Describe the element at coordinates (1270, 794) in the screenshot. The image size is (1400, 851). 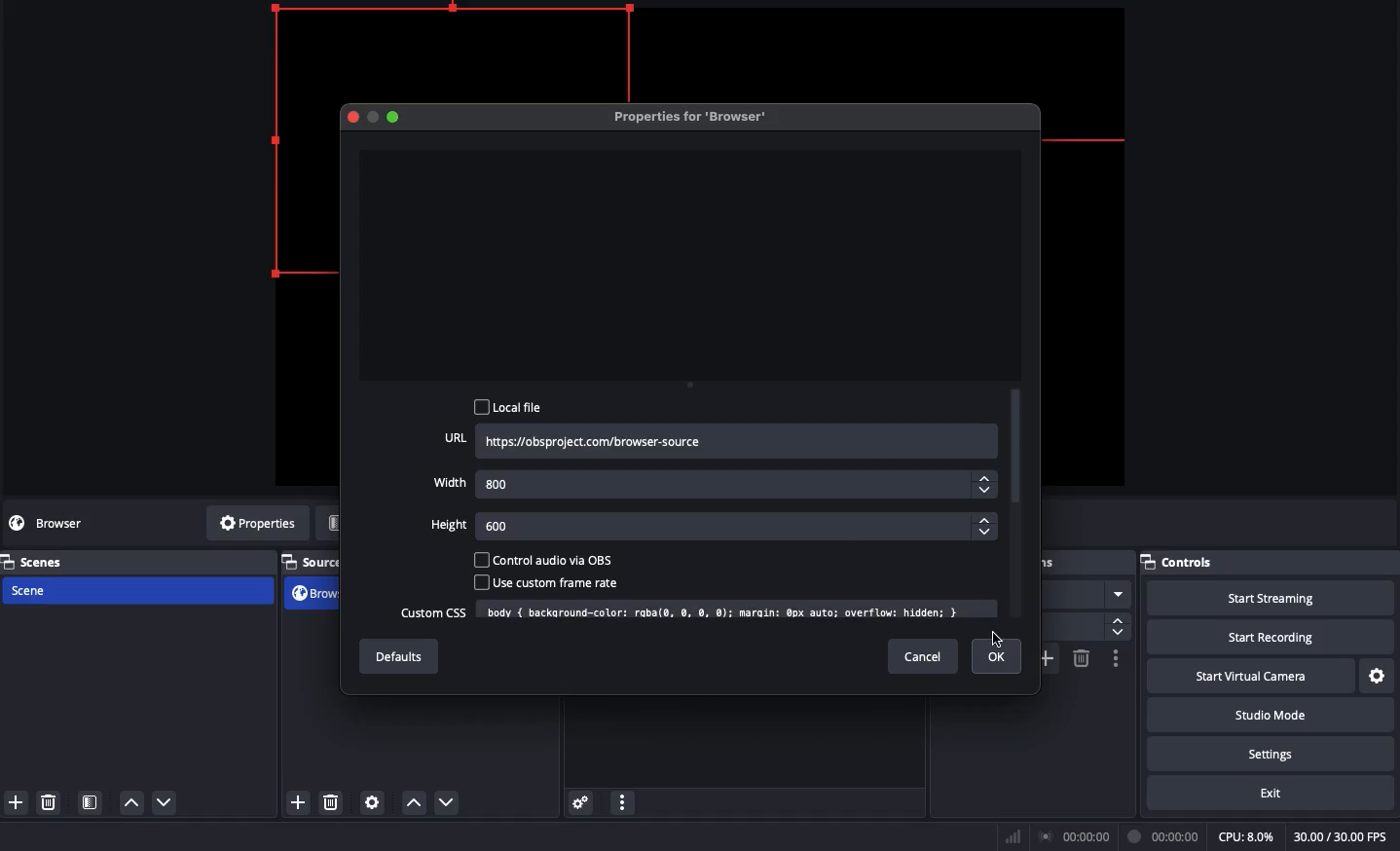
I see `Exit` at that location.